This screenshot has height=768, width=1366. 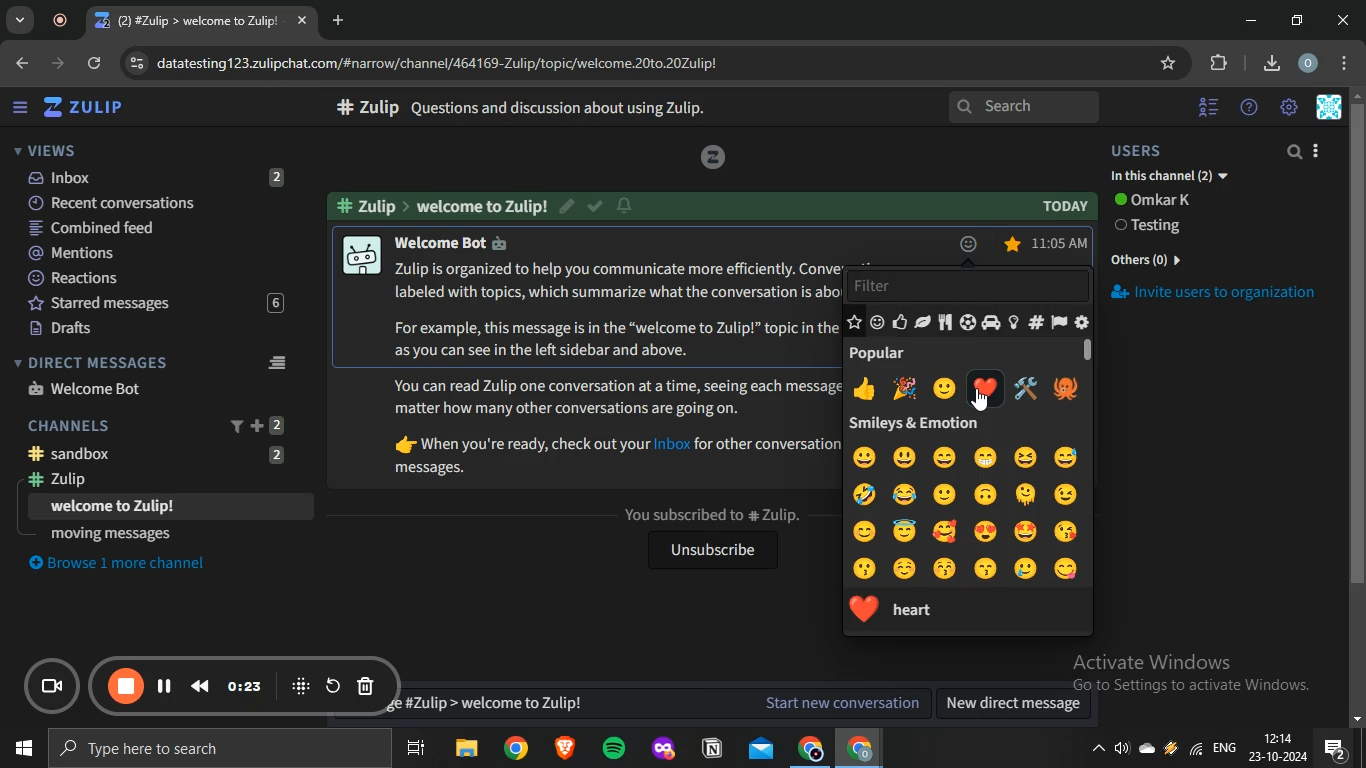 I want to click on kiss with blush eyes, so click(x=947, y=567).